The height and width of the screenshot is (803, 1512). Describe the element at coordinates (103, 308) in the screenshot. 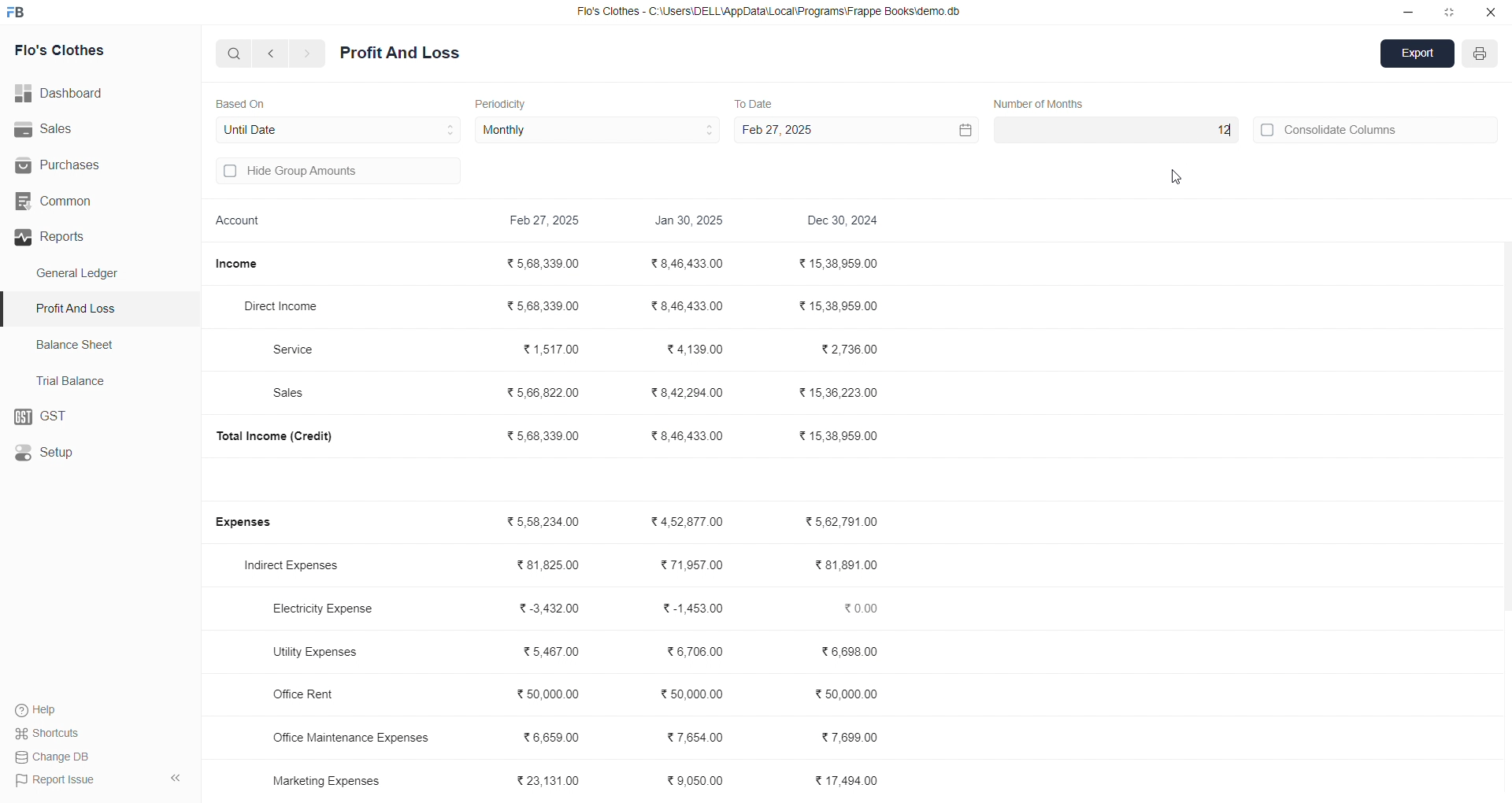

I see `Profit And Loss` at that location.